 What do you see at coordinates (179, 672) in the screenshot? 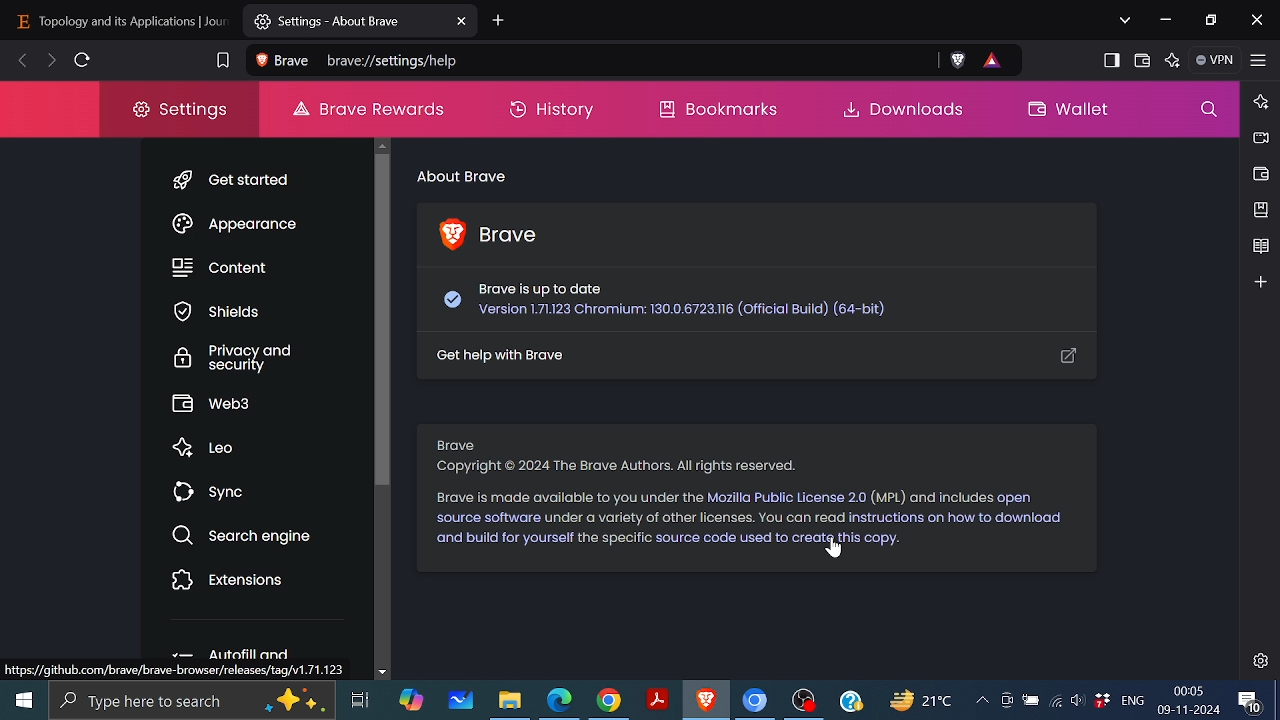
I see `https:/github.com/brave/brave-browser/releases/tag/v1.71.123` at bounding box center [179, 672].